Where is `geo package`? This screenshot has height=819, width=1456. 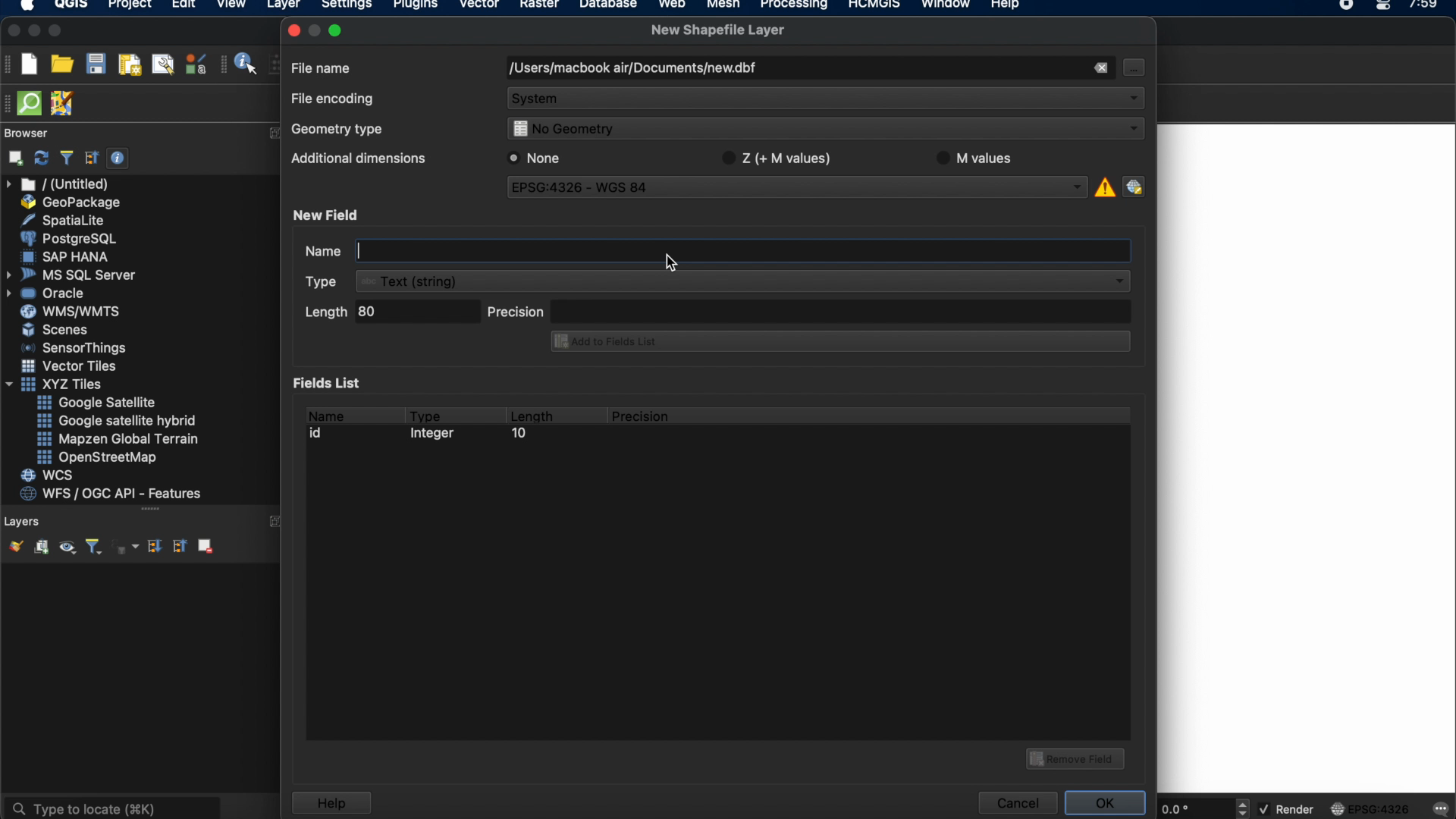 geo package is located at coordinates (69, 202).